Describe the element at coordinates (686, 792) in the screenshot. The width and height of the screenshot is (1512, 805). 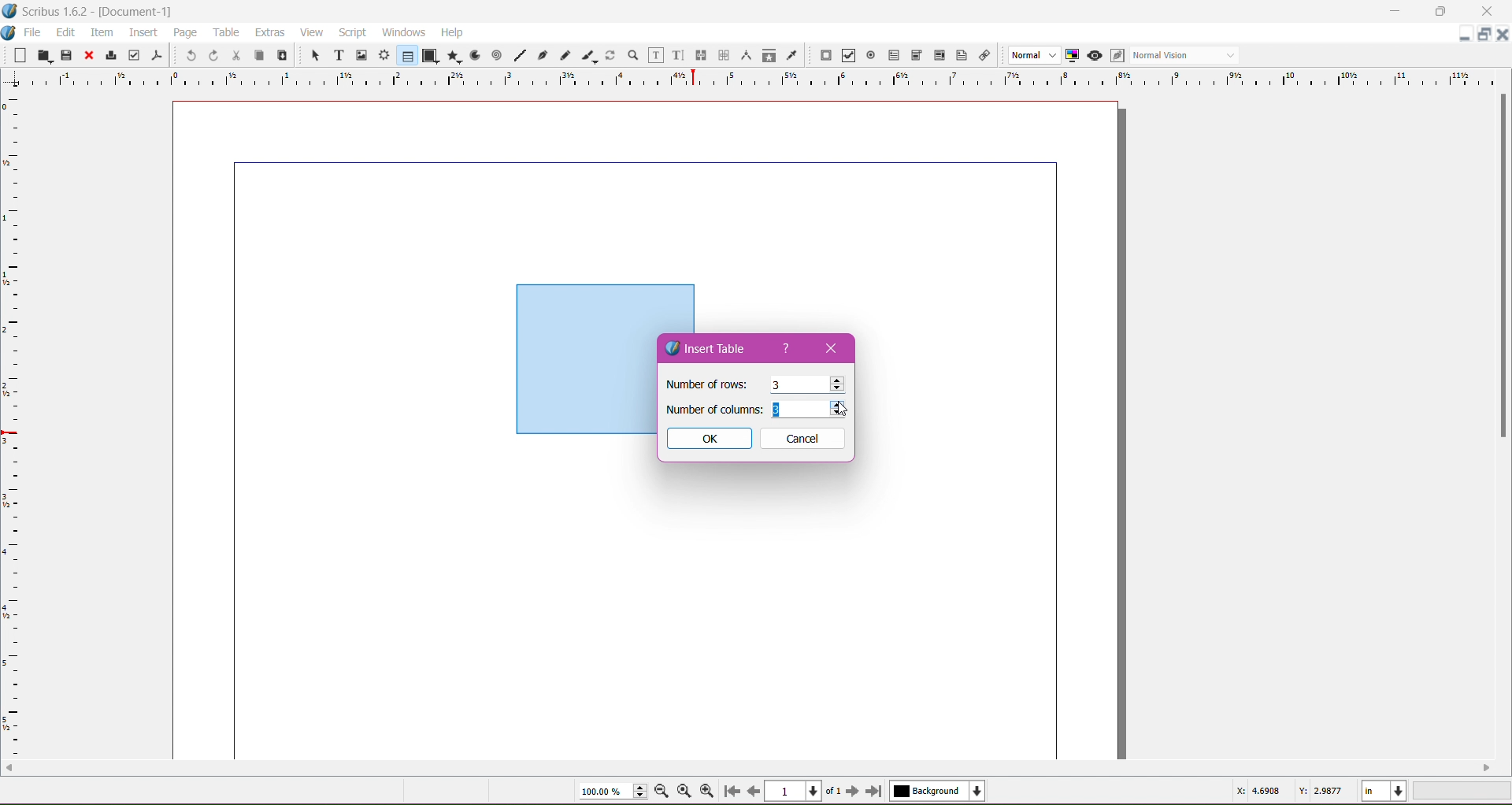
I see `Zoom to 100%` at that location.